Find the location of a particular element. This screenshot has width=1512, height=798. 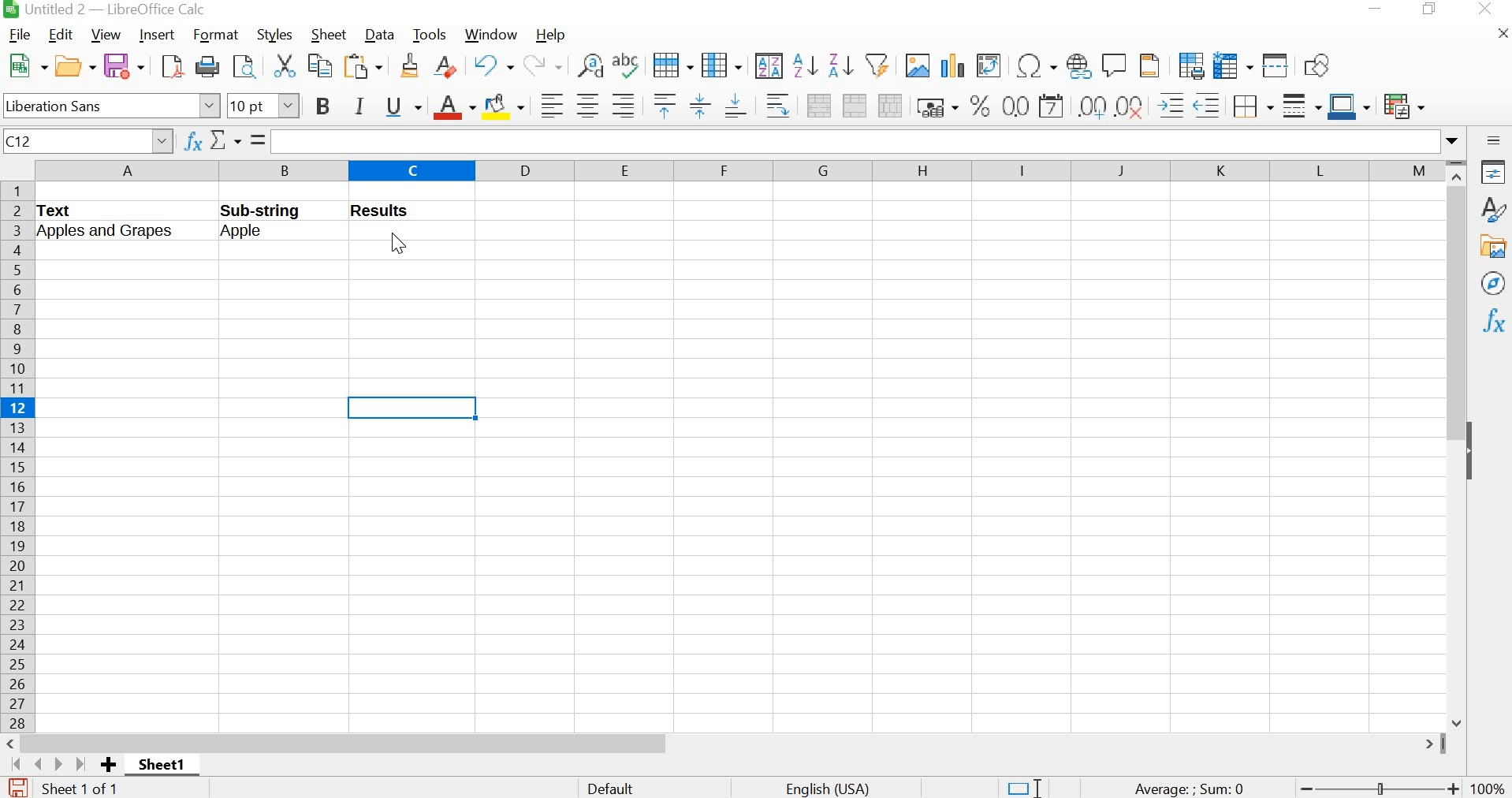

headers and footers is located at coordinates (1151, 65).